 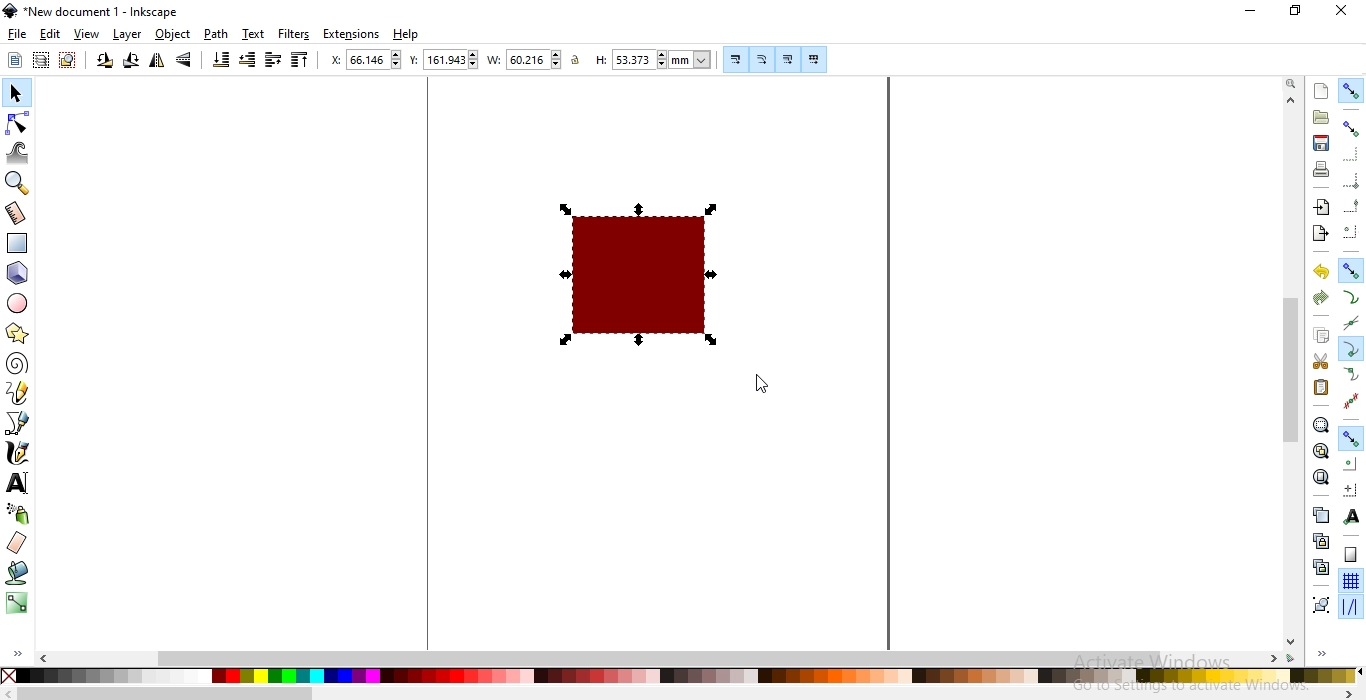 What do you see at coordinates (1322, 144) in the screenshot?
I see `save document` at bounding box center [1322, 144].